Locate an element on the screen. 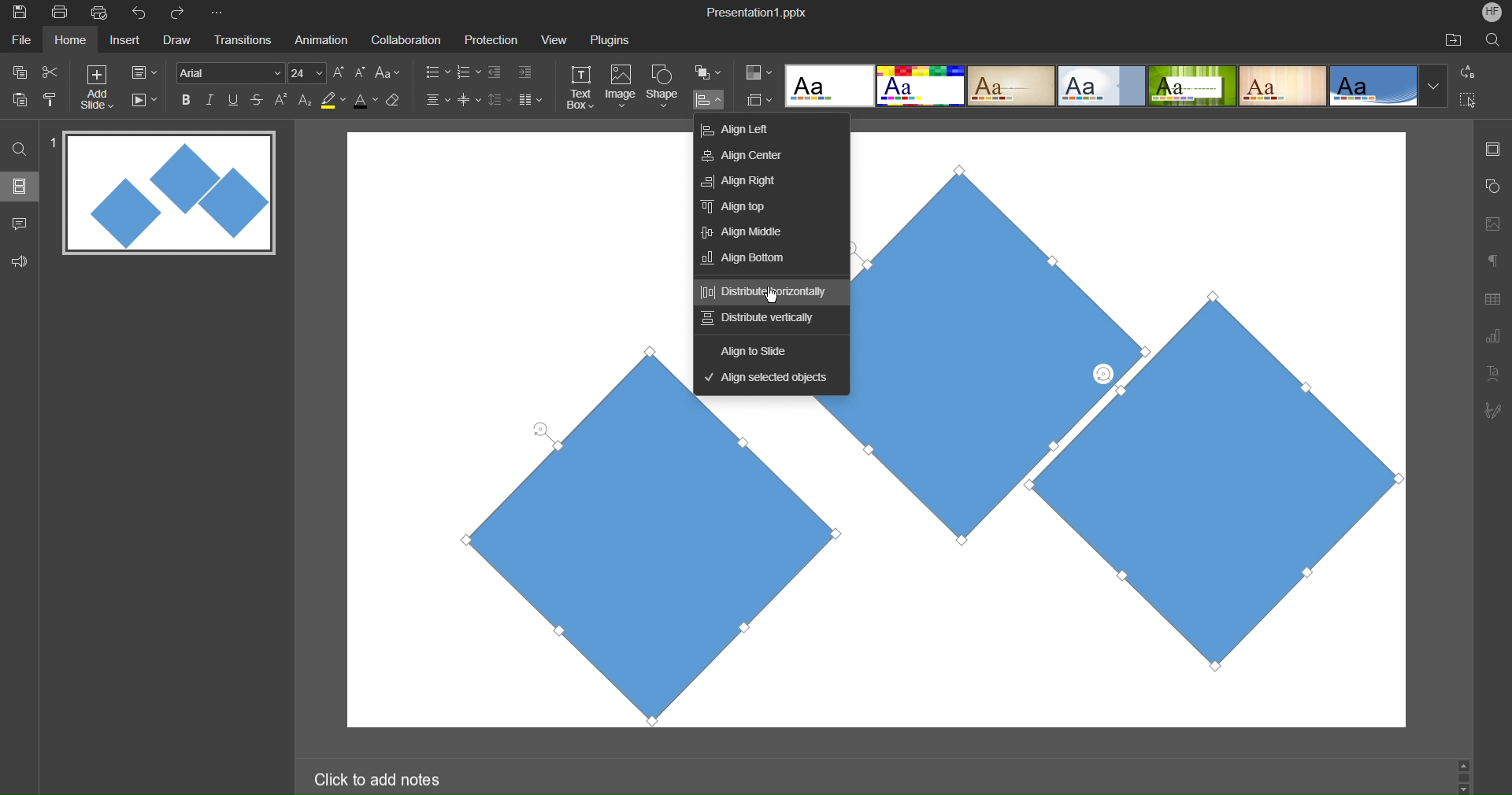 Image resolution: width=1512 pixels, height=795 pixels. Superscript is located at coordinates (283, 99).